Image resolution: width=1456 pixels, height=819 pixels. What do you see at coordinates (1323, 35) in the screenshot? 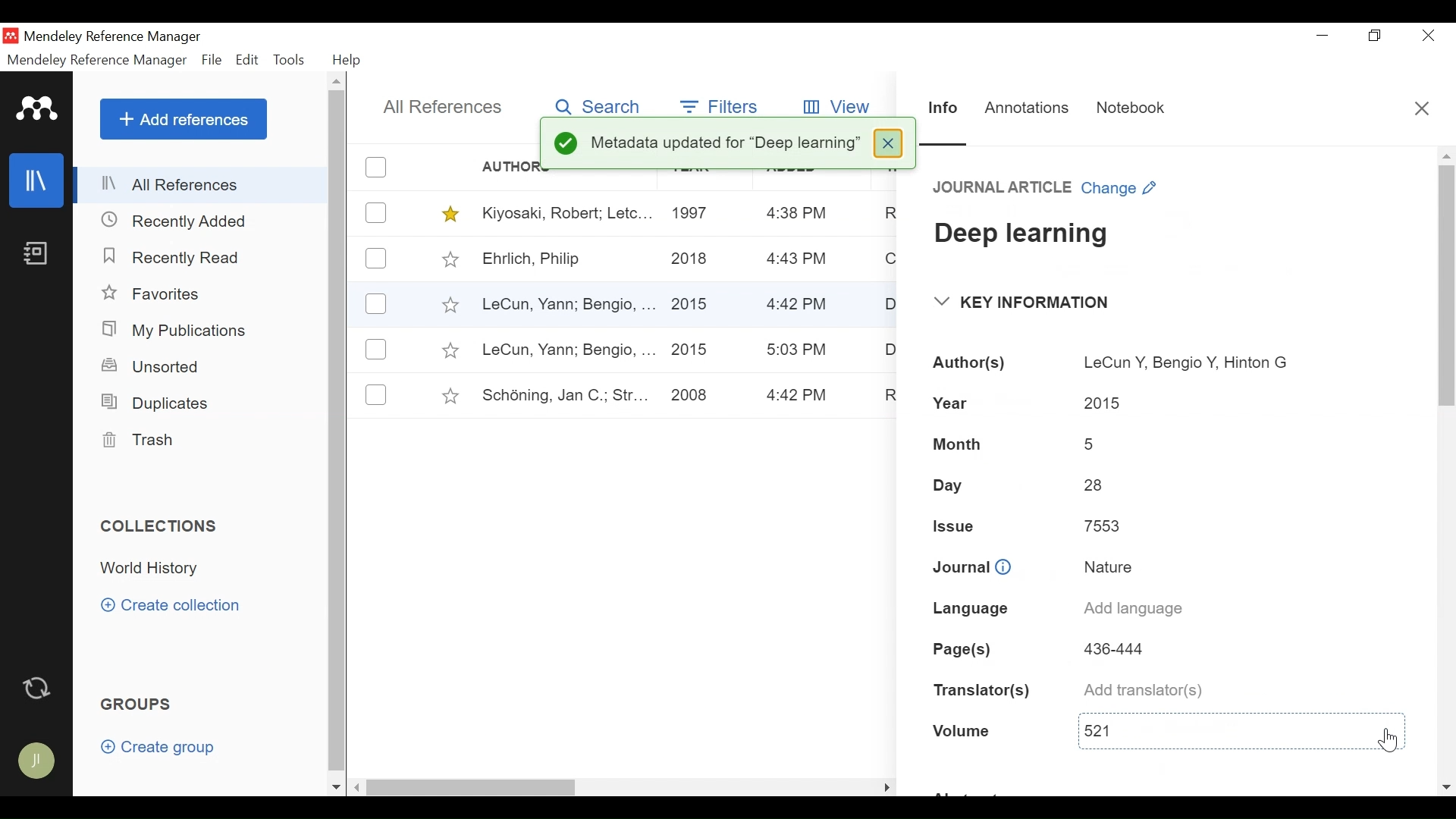
I see `minimize` at bounding box center [1323, 35].